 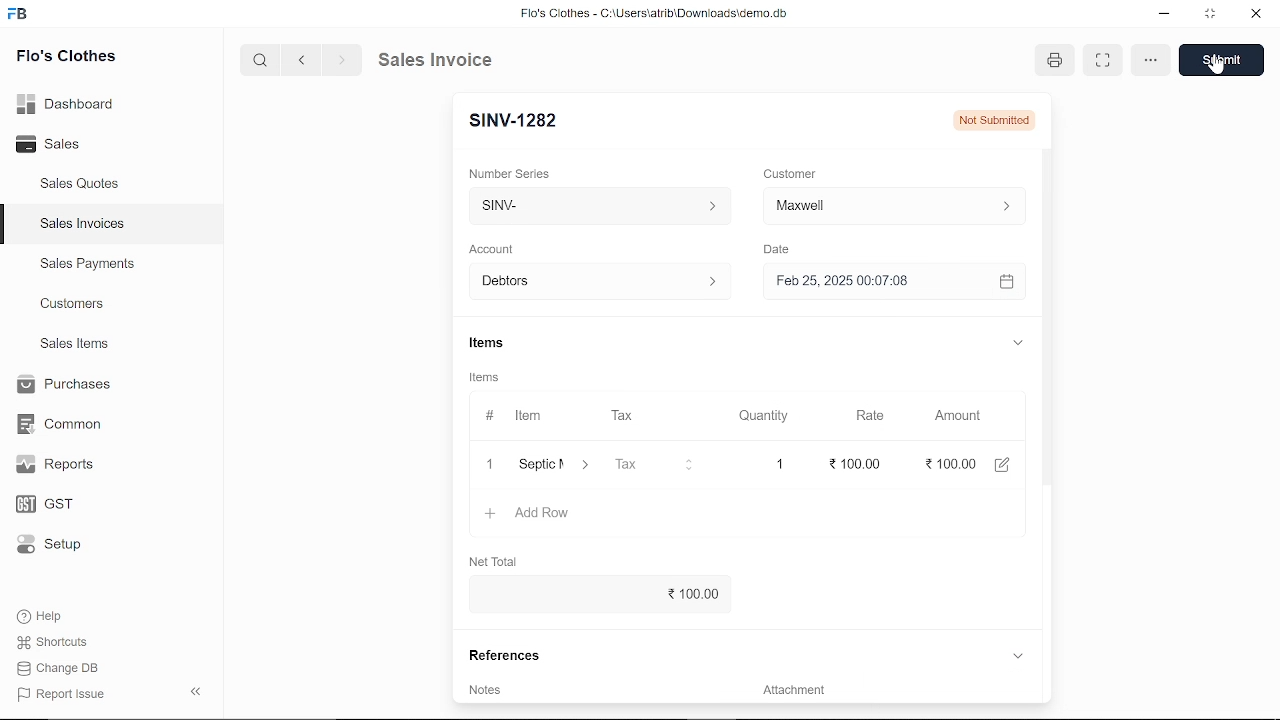 I want to click on References., so click(x=507, y=656).